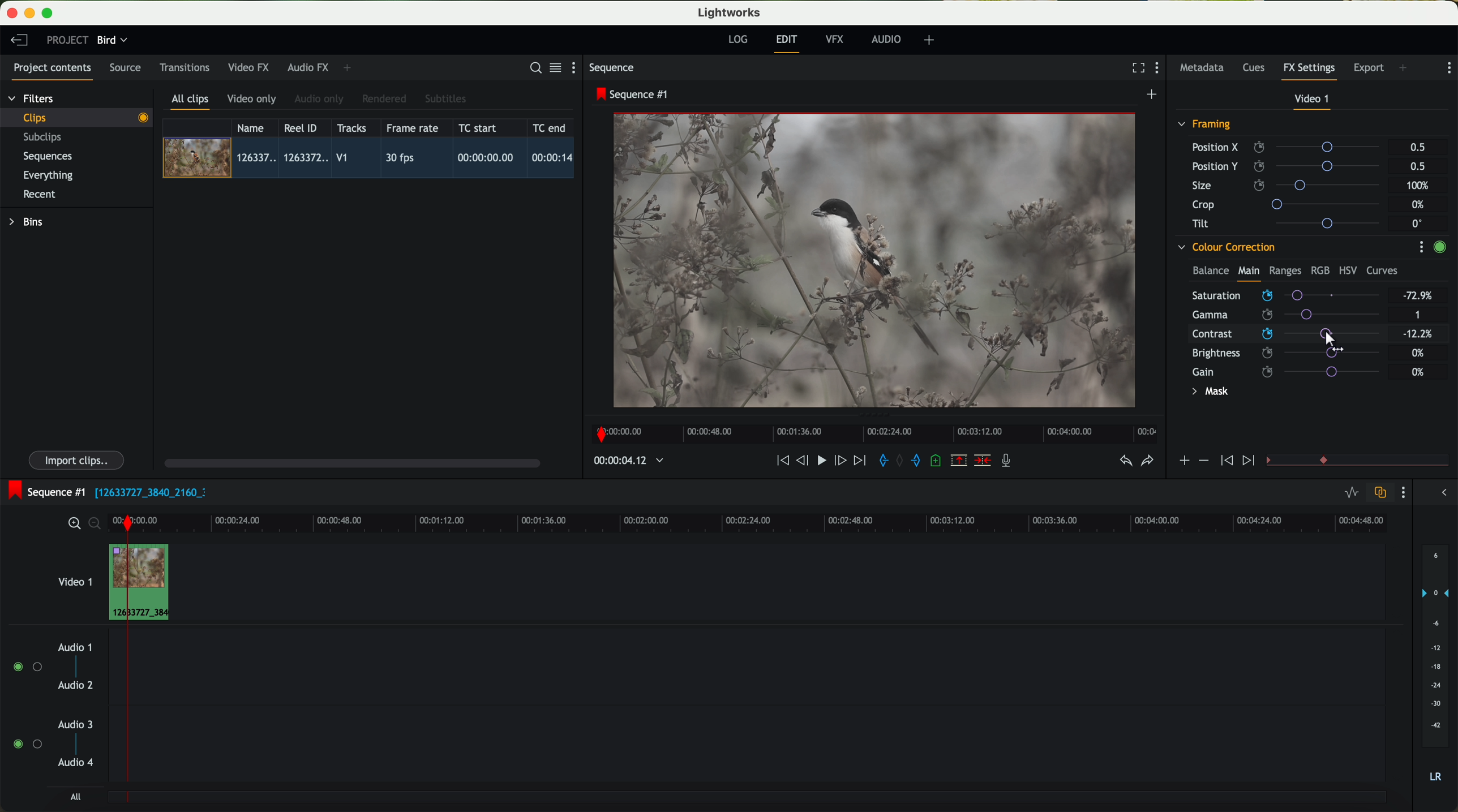 This screenshot has height=812, width=1458. Describe the element at coordinates (1211, 272) in the screenshot. I see `balance` at that location.